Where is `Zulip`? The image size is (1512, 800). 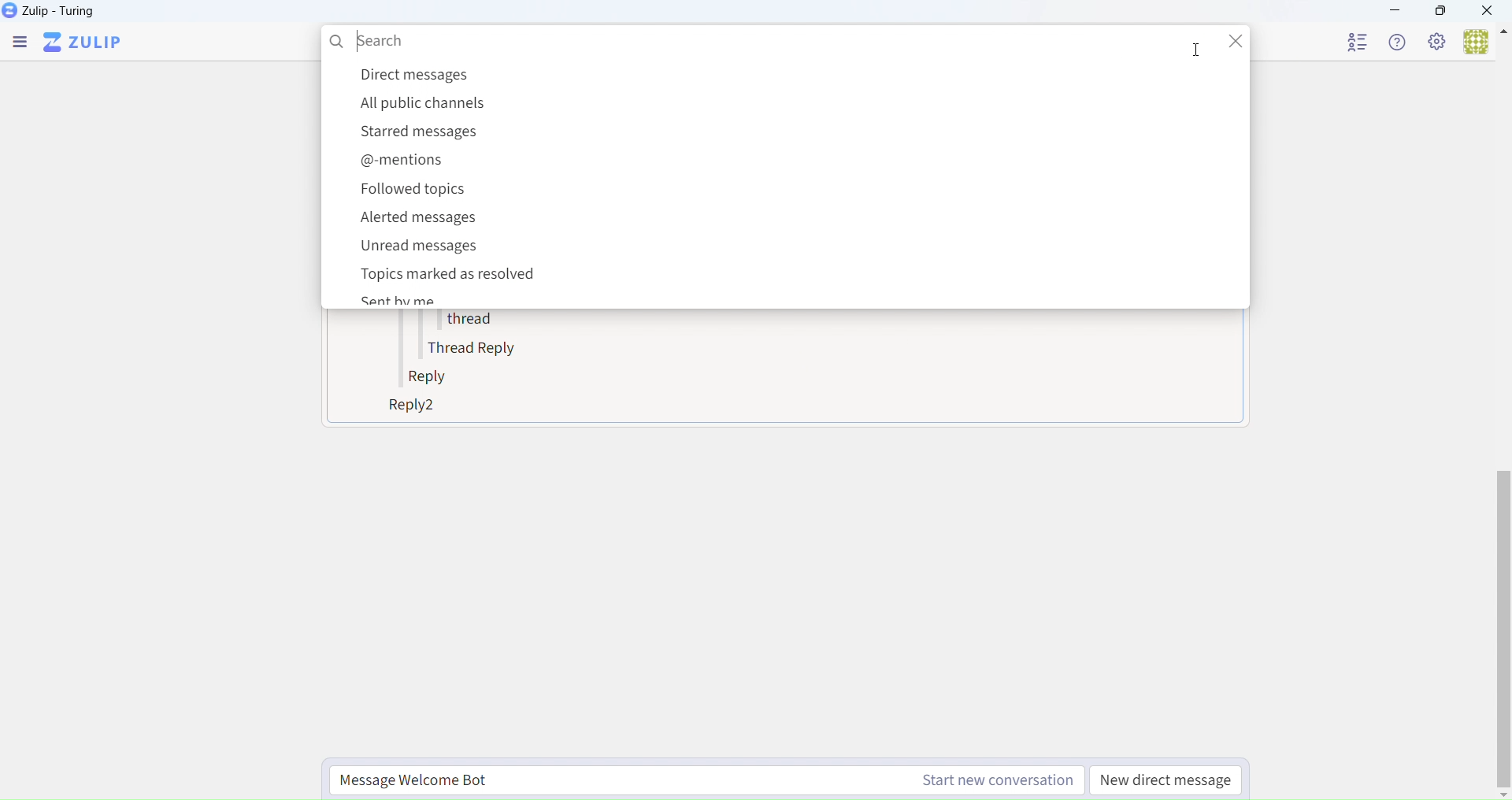 Zulip is located at coordinates (83, 45).